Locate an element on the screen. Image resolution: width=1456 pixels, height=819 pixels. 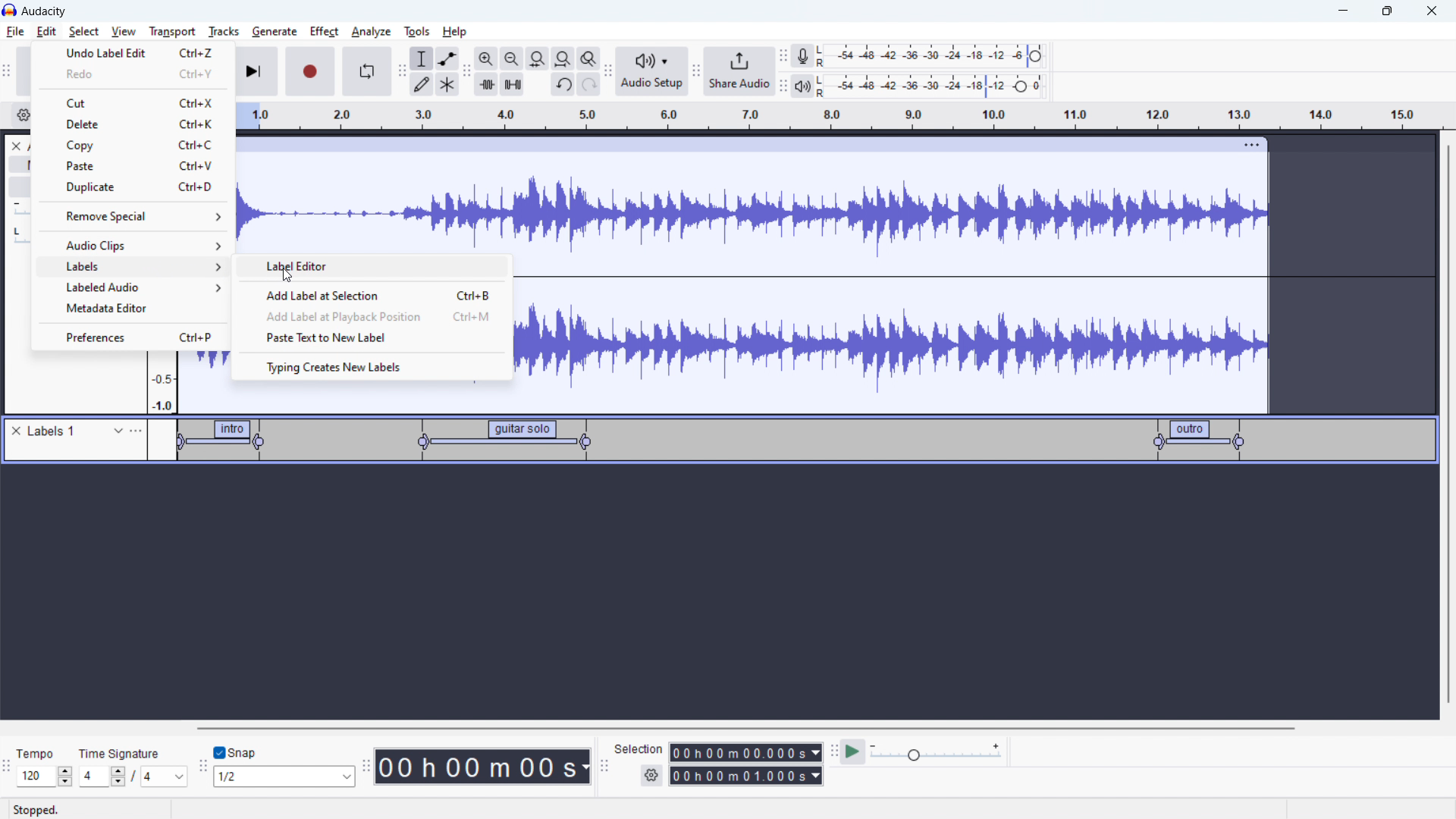
Delete Ctrl+K is located at coordinates (143, 124).